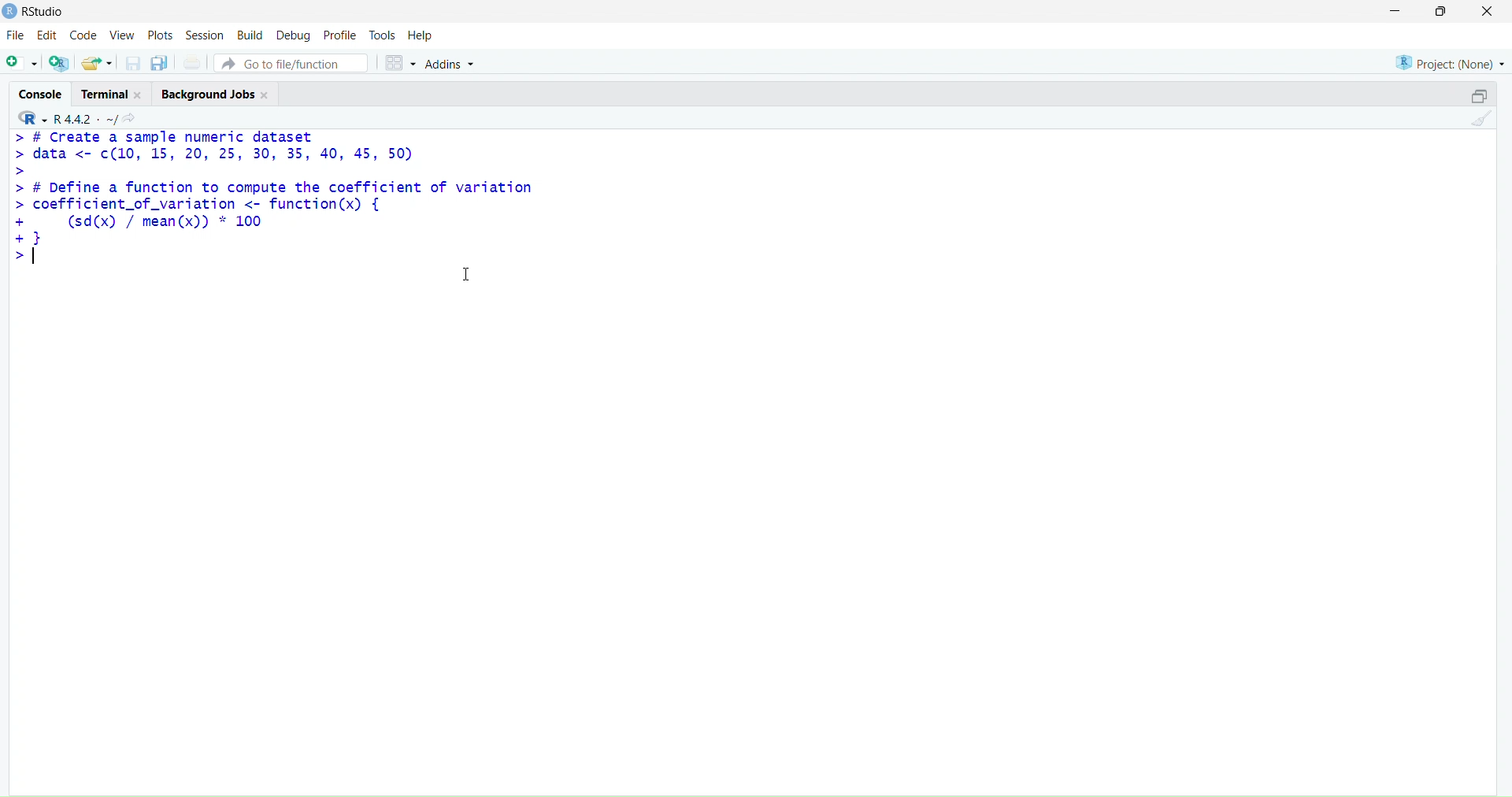 The image size is (1512, 797). Describe the element at coordinates (266, 95) in the screenshot. I see `Close ` at that location.